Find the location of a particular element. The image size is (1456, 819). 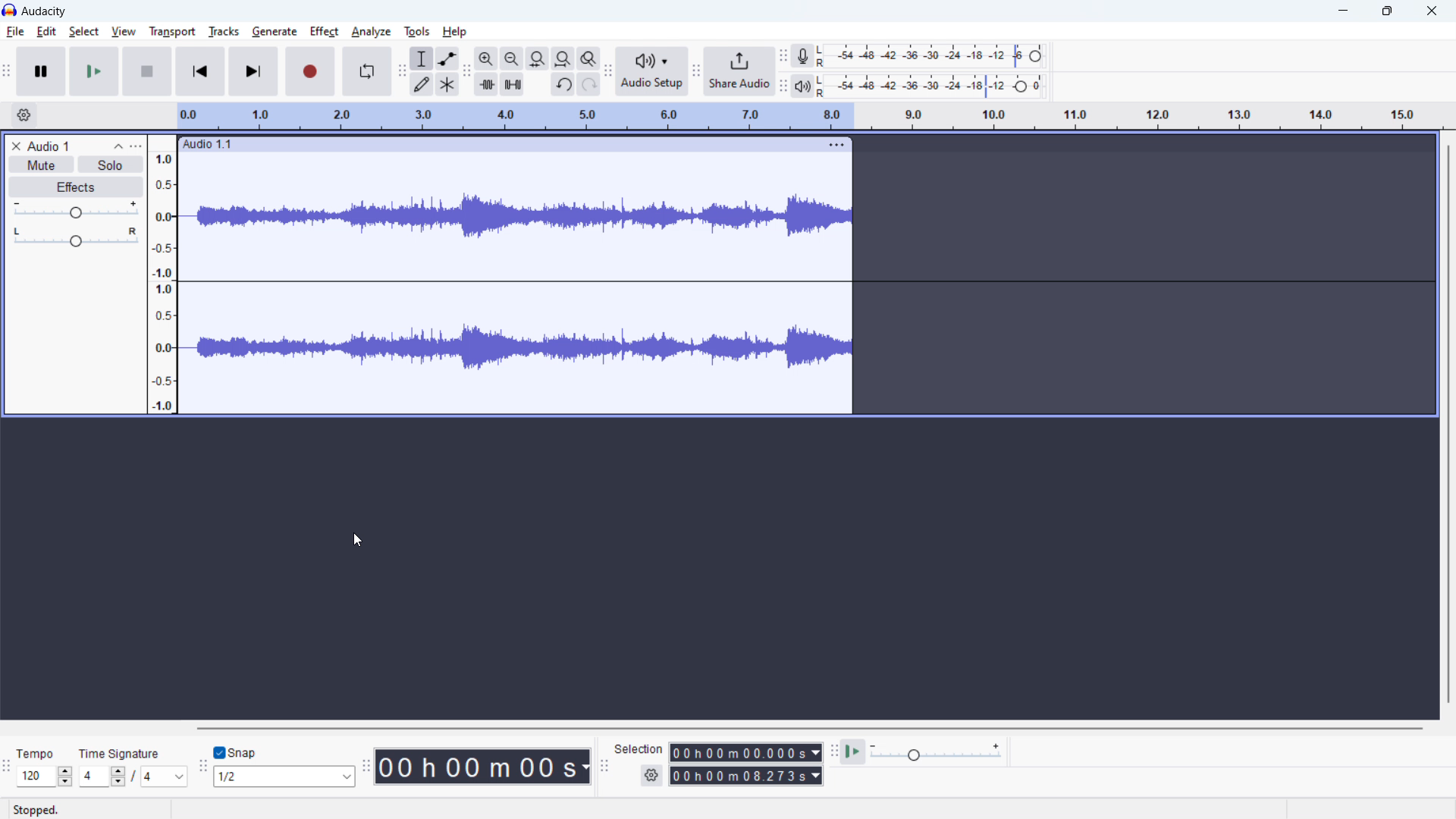

logo is located at coordinates (9, 10).